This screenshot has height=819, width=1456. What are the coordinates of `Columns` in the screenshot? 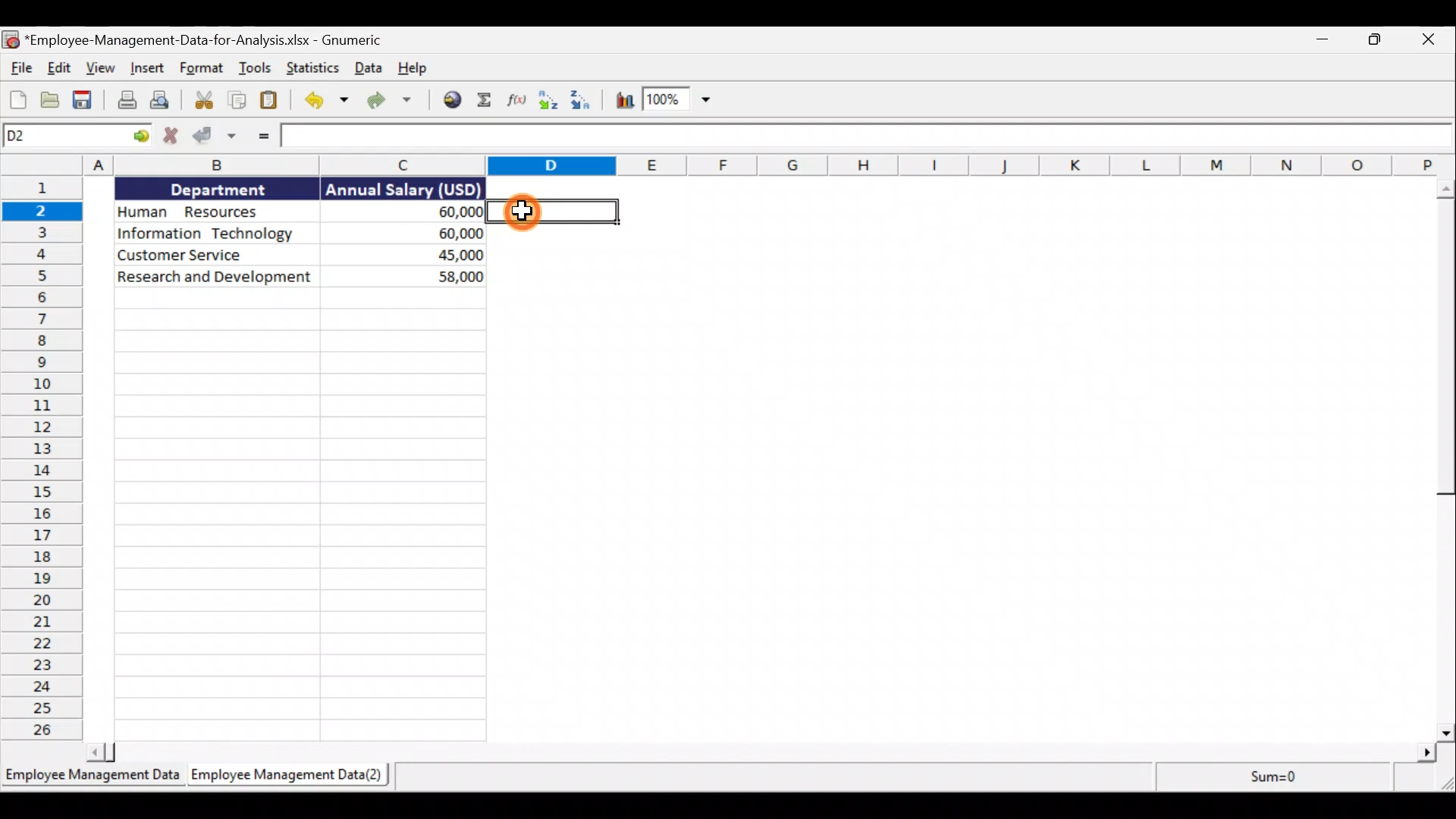 It's located at (724, 164).